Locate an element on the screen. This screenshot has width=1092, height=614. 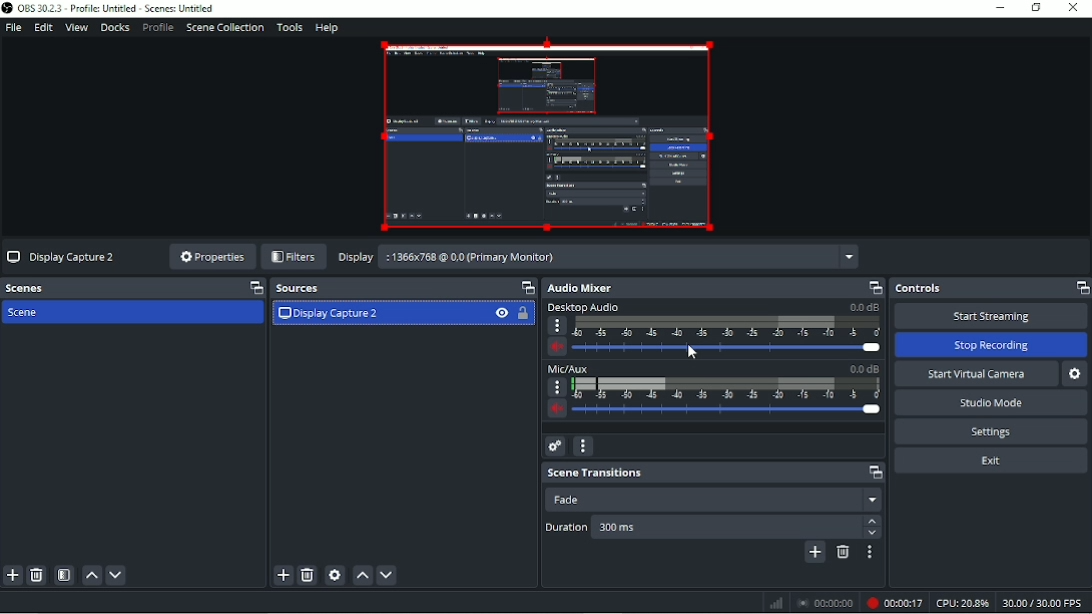
Start virtual camera is located at coordinates (977, 374).